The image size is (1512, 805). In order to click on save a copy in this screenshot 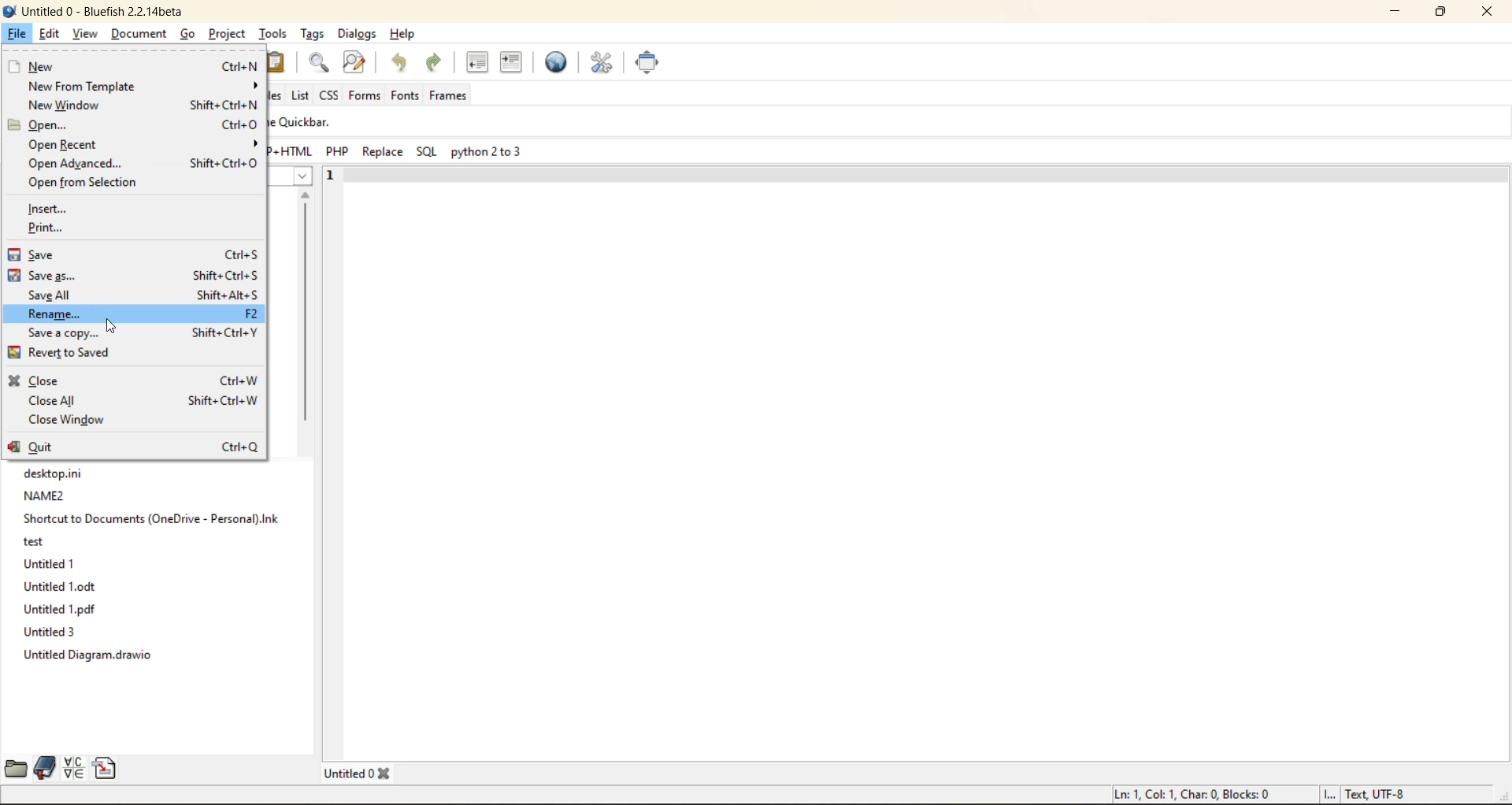, I will do `click(65, 334)`.